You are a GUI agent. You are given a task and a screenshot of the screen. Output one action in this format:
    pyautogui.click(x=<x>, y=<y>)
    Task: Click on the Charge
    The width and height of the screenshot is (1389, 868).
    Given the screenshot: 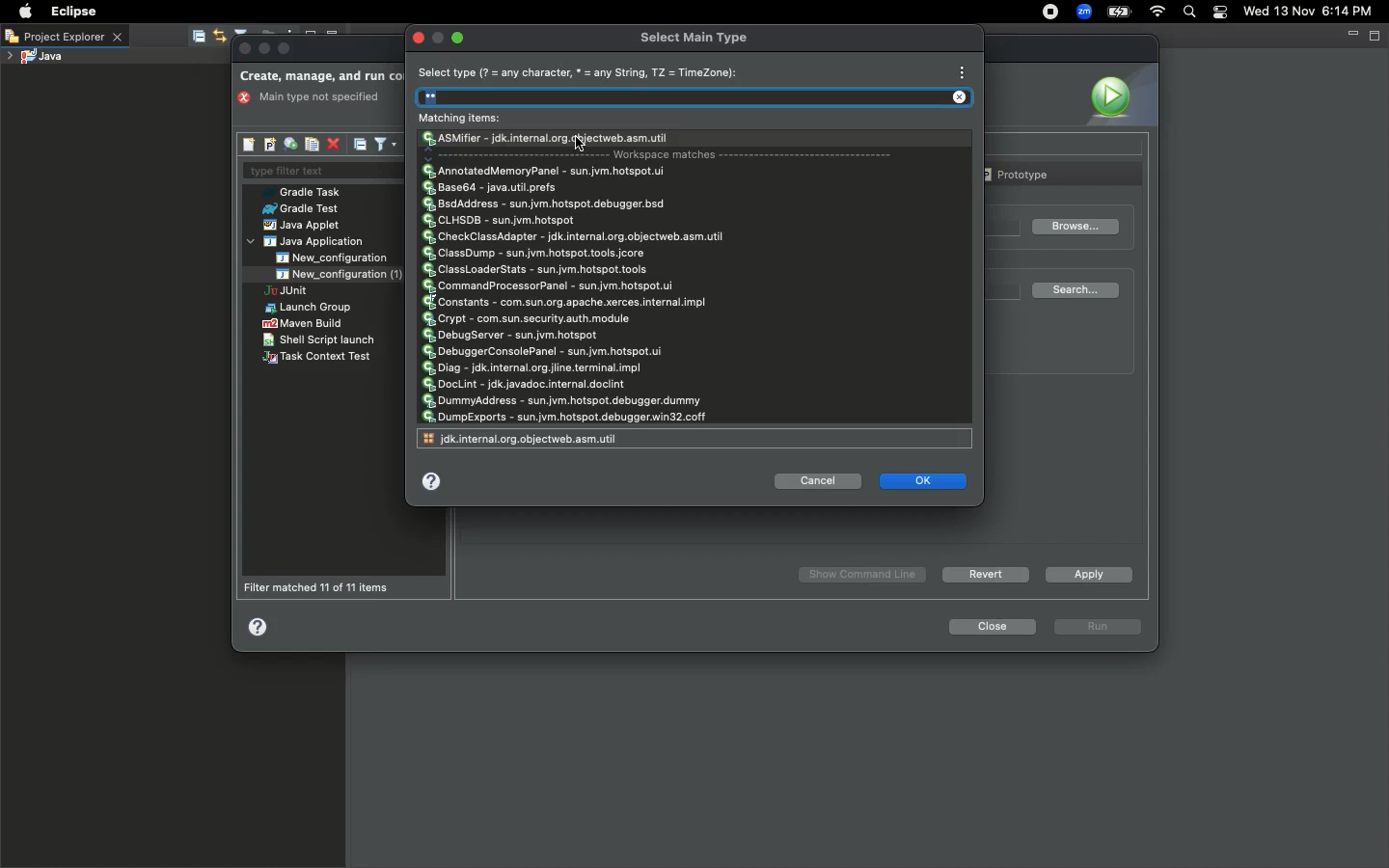 What is the action you would take?
    pyautogui.click(x=1119, y=14)
    